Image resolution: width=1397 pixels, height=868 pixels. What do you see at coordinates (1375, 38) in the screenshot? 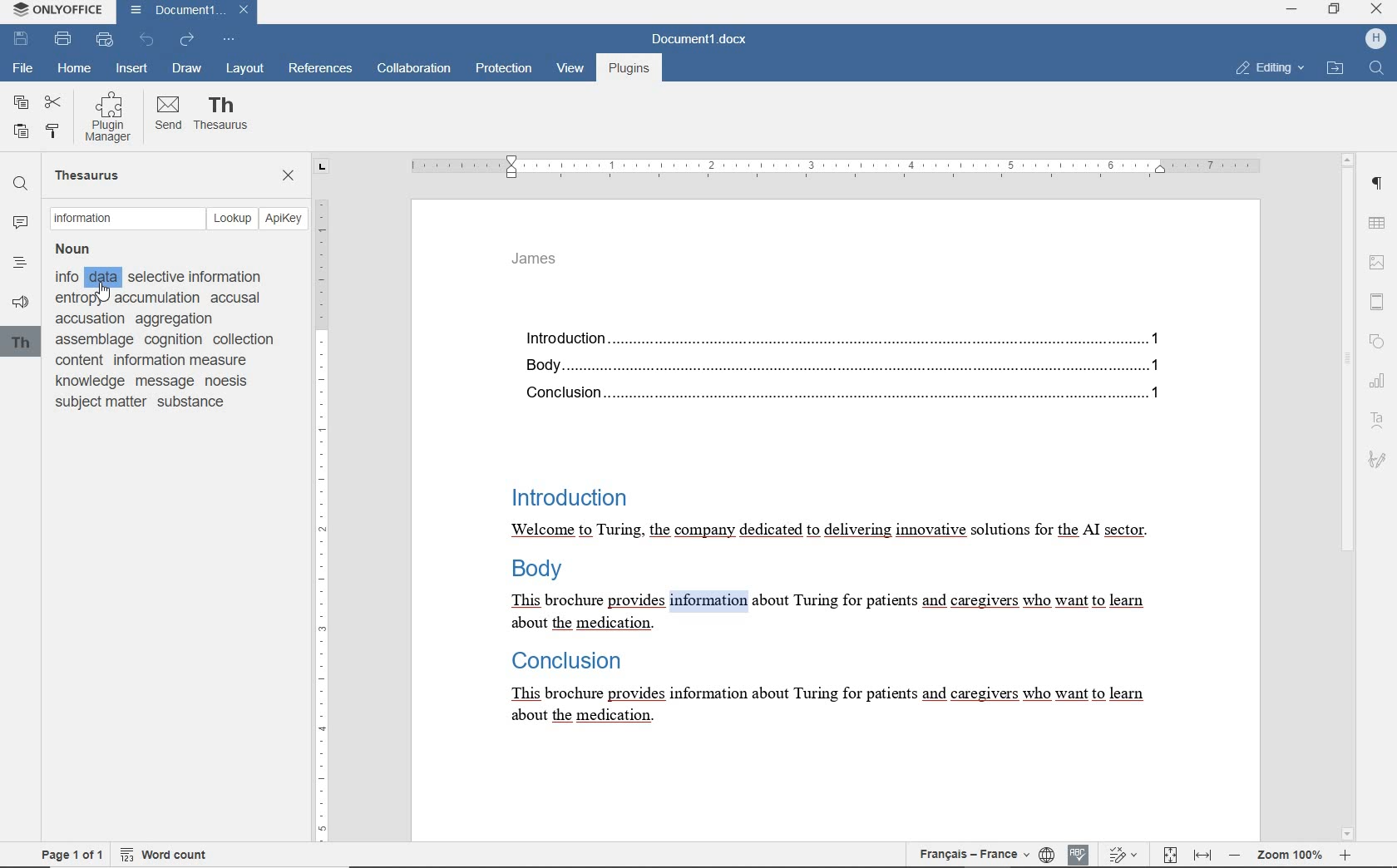
I see `profile` at bounding box center [1375, 38].